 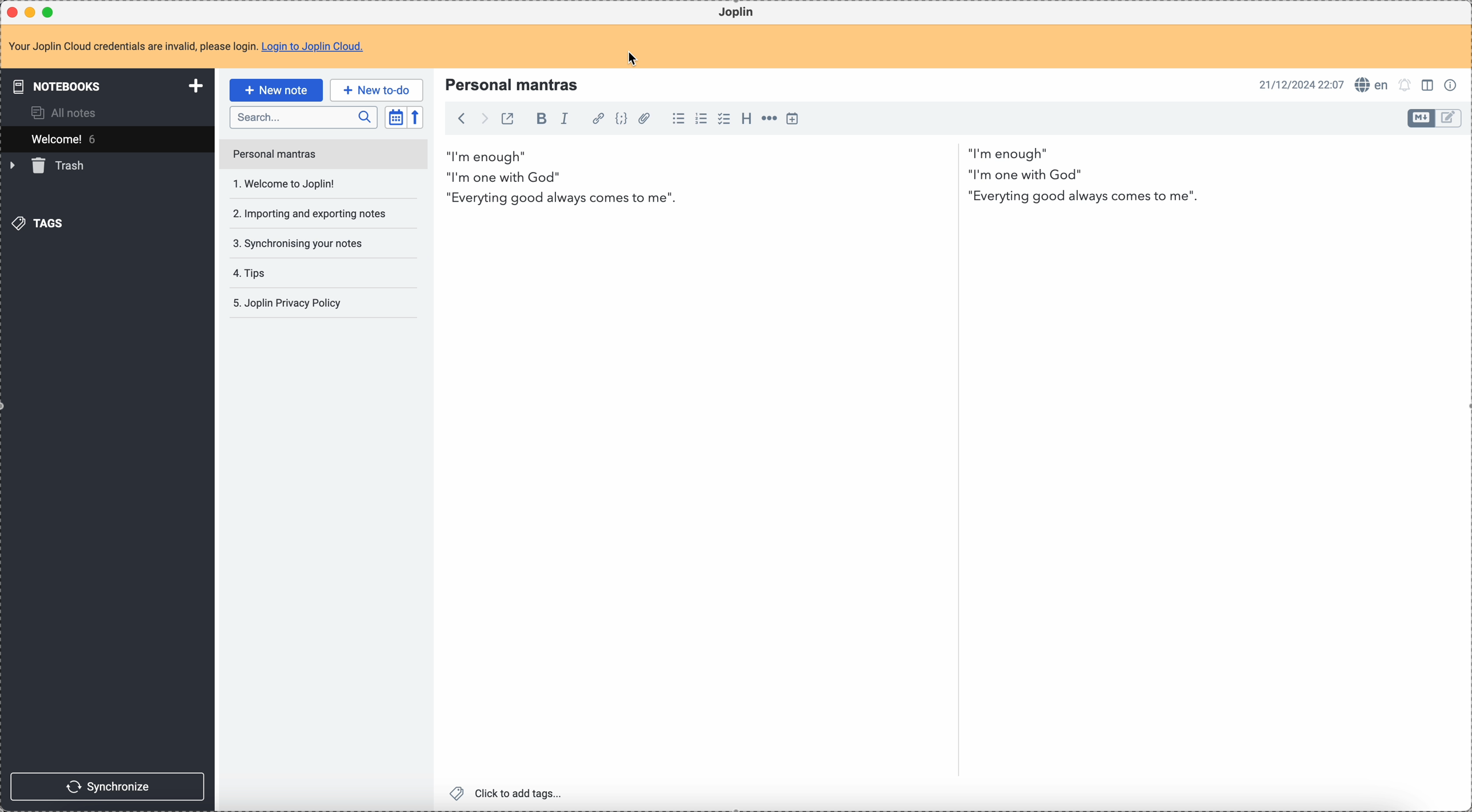 What do you see at coordinates (415, 118) in the screenshot?
I see `reverse sort order` at bounding box center [415, 118].